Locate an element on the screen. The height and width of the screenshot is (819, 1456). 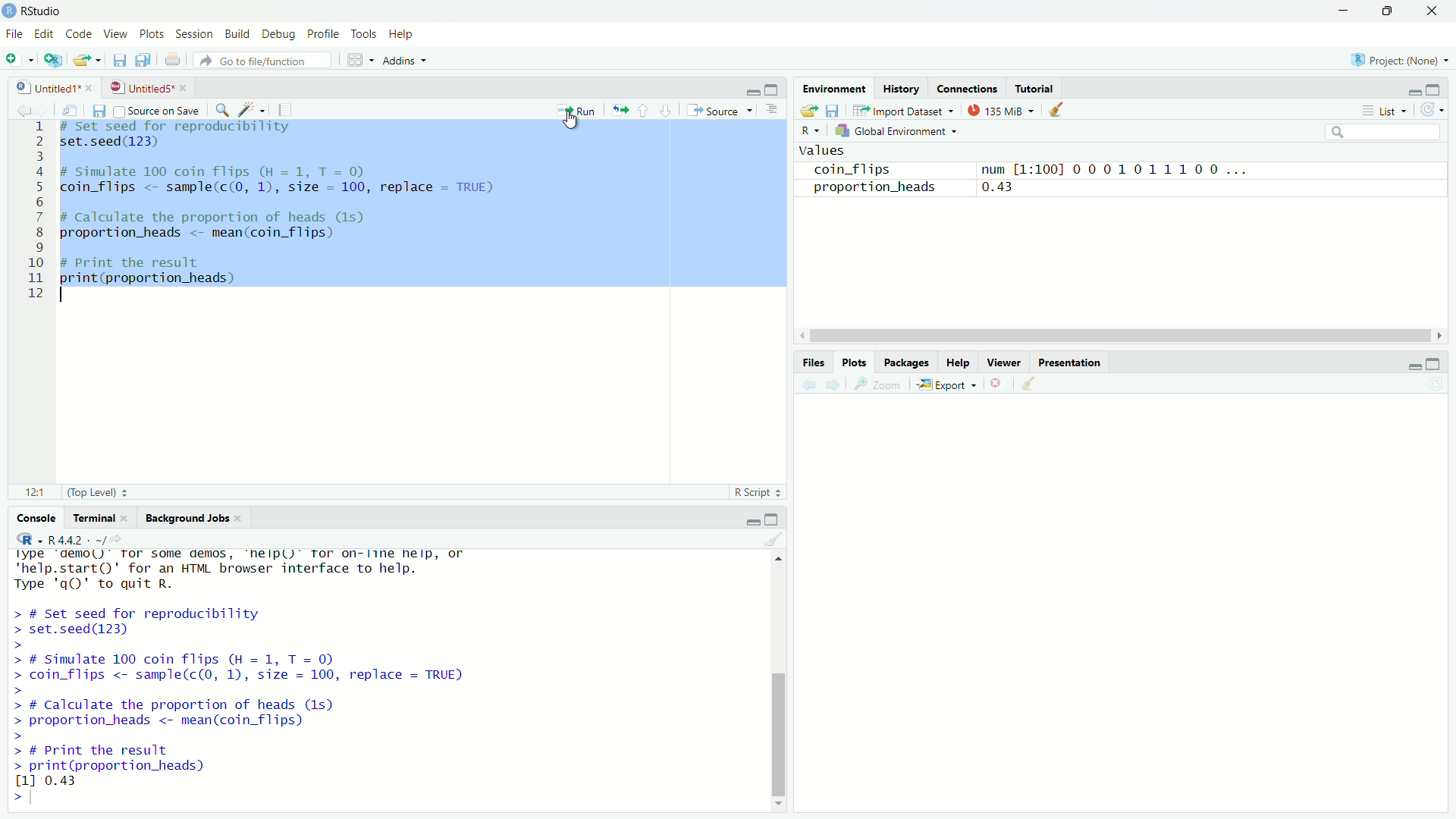
load workspace is located at coordinates (808, 111).